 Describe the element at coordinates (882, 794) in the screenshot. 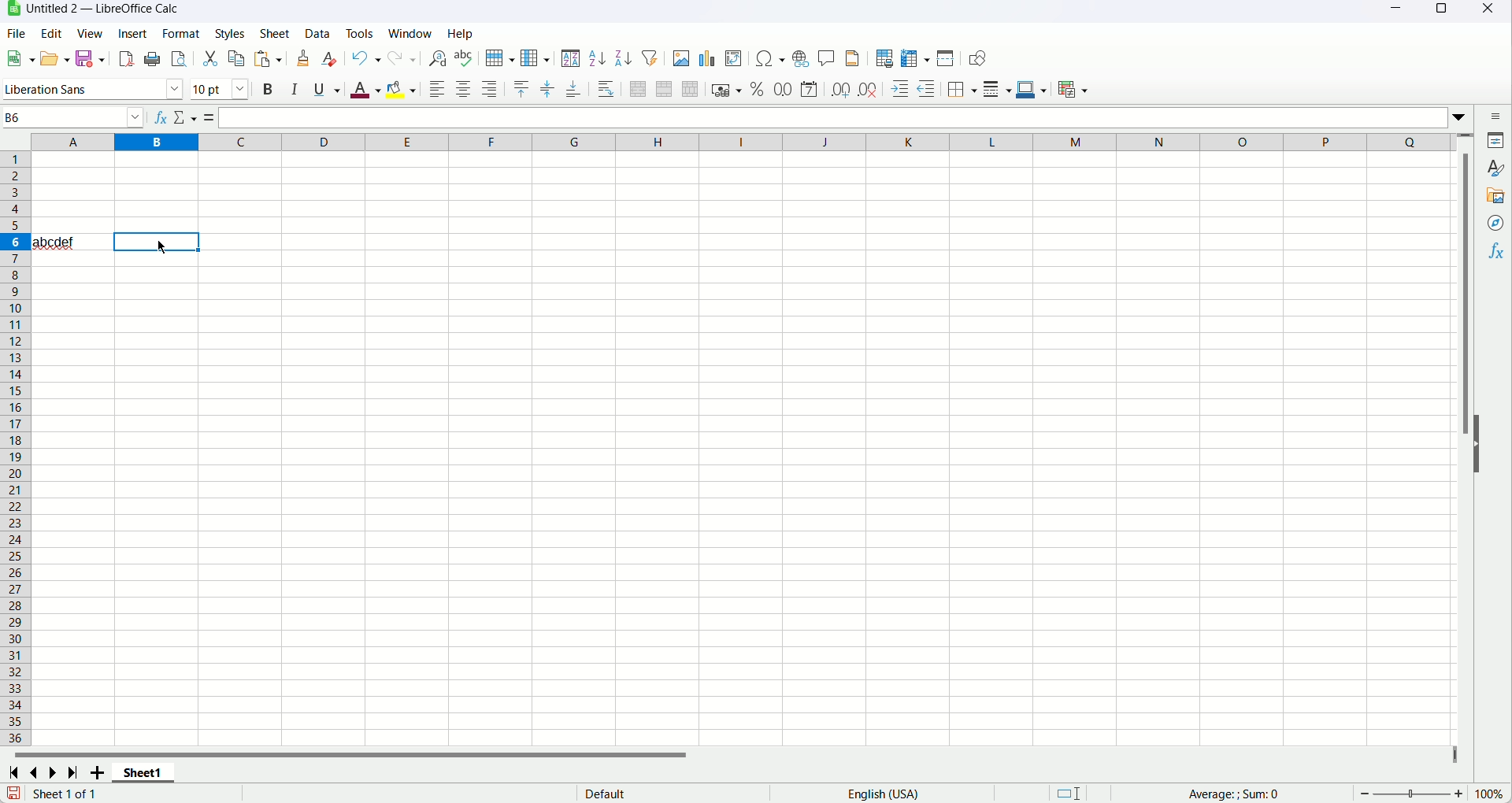

I see `english (USA)` at that location.